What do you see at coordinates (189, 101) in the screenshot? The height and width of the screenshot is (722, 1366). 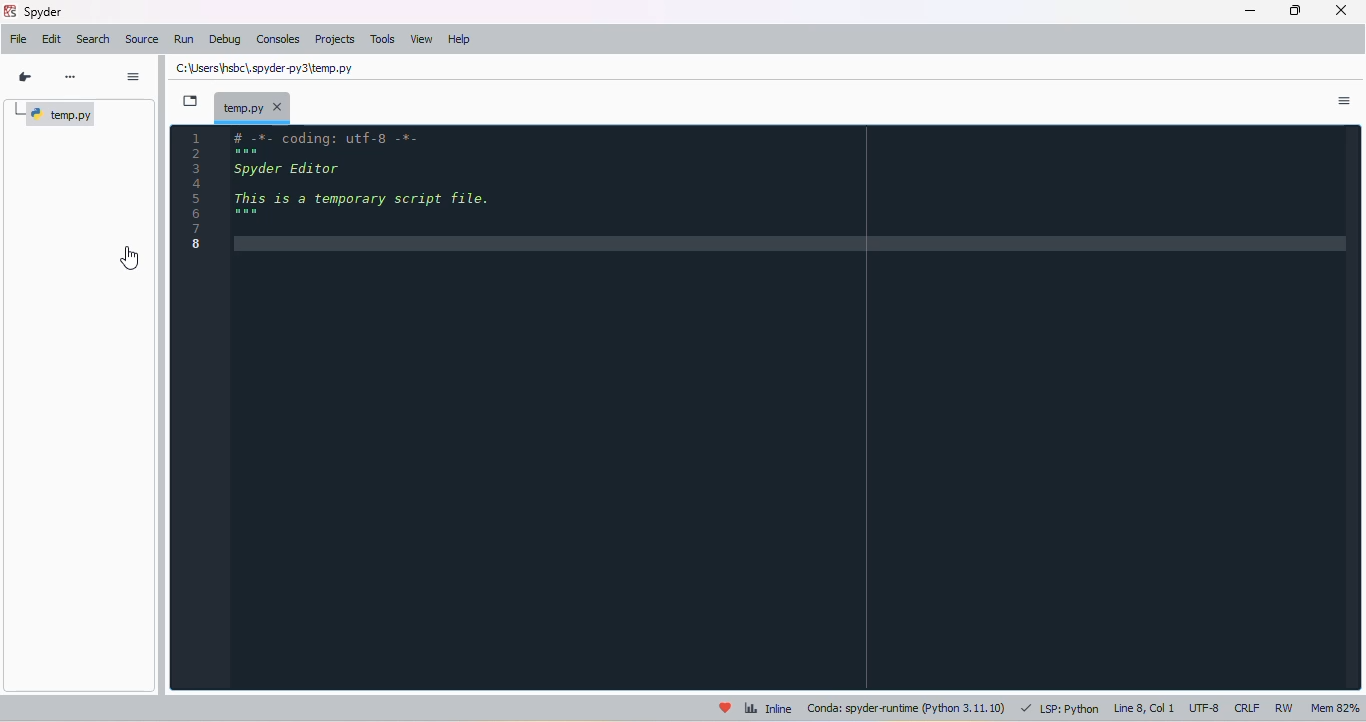 I see `browse tabs` at bounding box center [189, 101].